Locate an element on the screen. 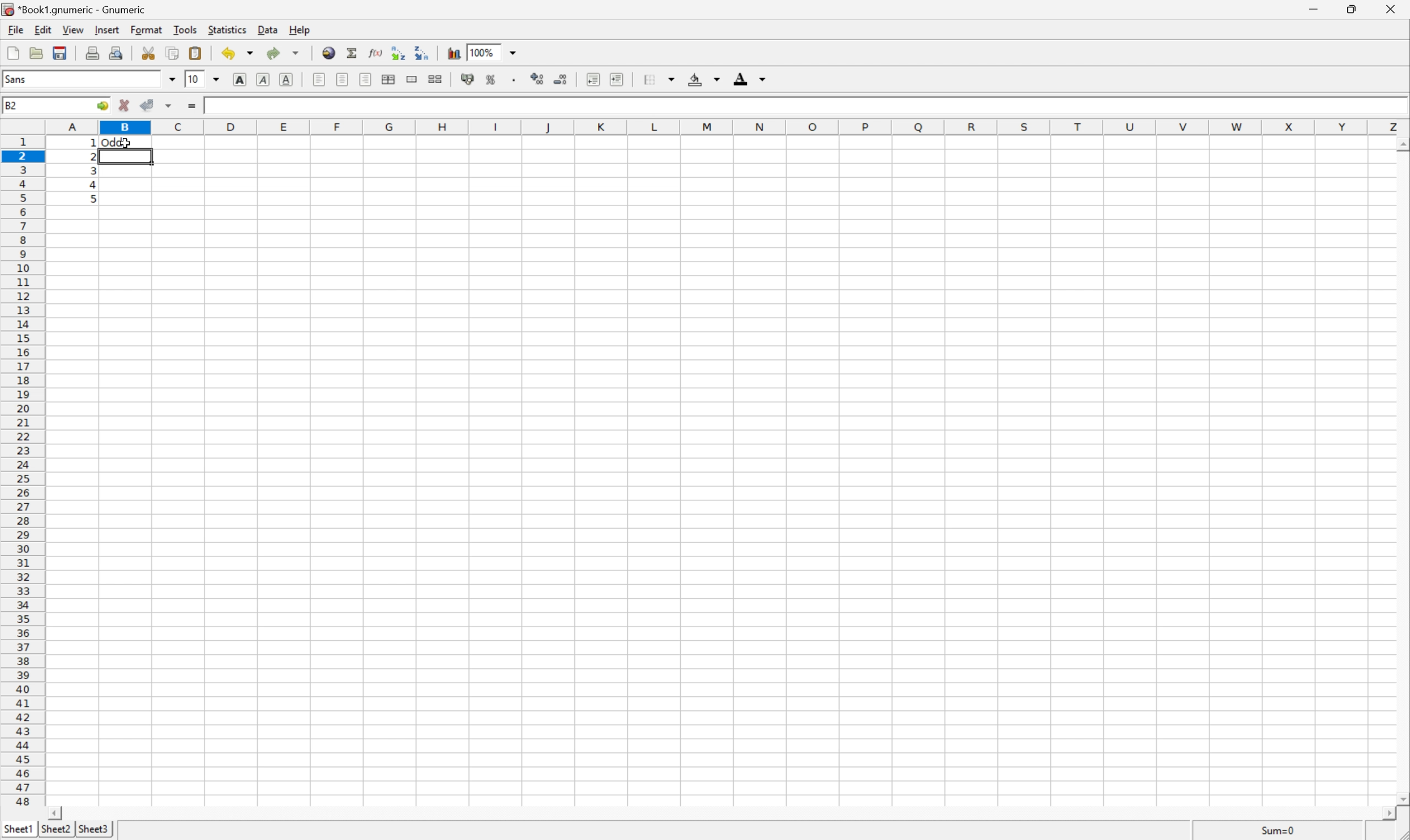 This screenshot has width=1410, height=840. Sheet3 is located at coordinates (95, 829).